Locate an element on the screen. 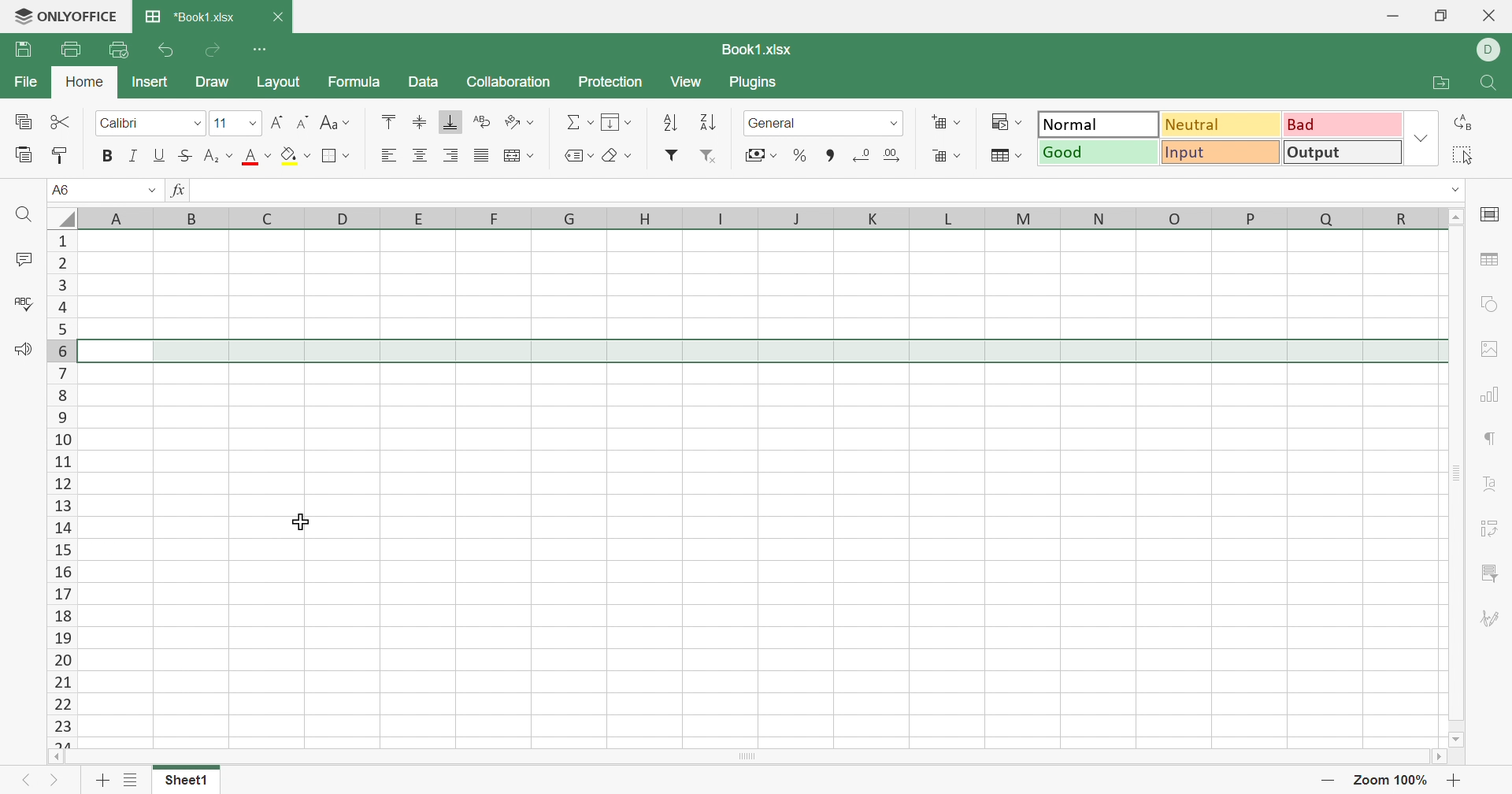 Image resolution: width=1512 pixels, height=794 pixels. Zoom 100% is located at coordinates (1393, 780).